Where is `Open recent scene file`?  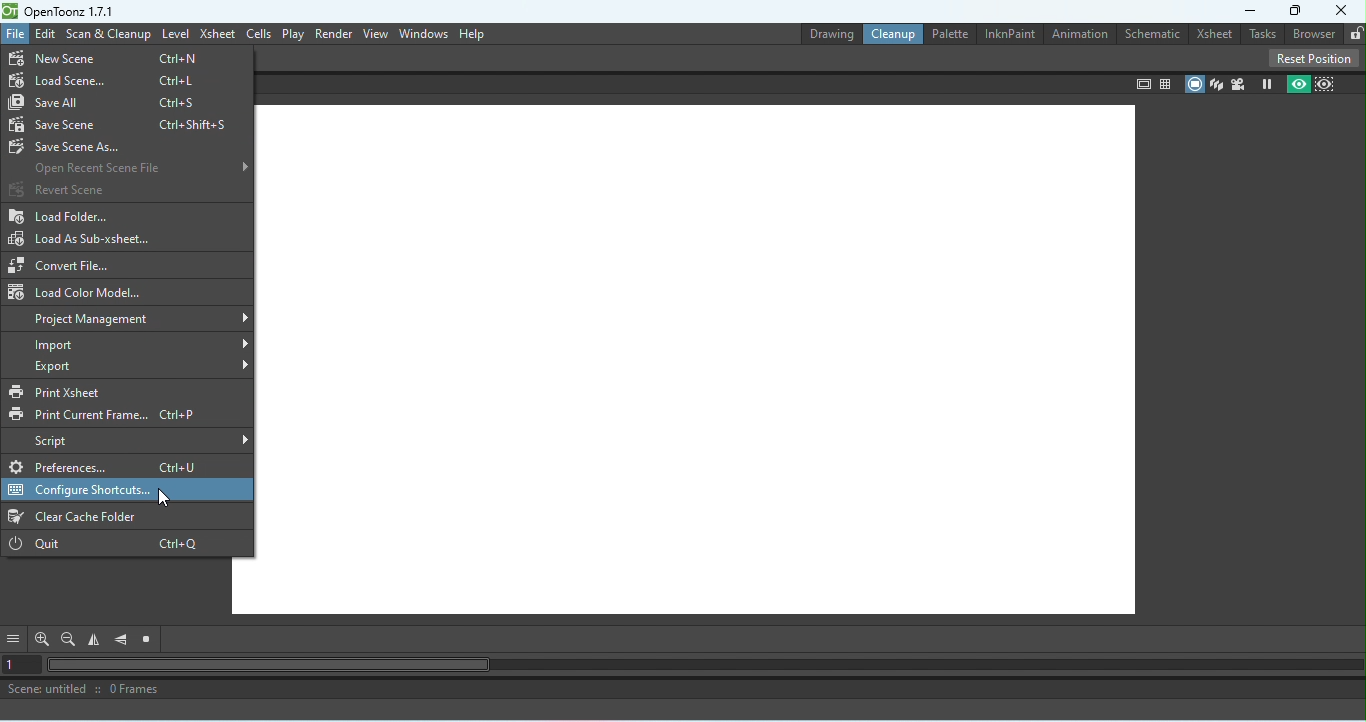
Open recent scene file is located at coordinates (141, 167).